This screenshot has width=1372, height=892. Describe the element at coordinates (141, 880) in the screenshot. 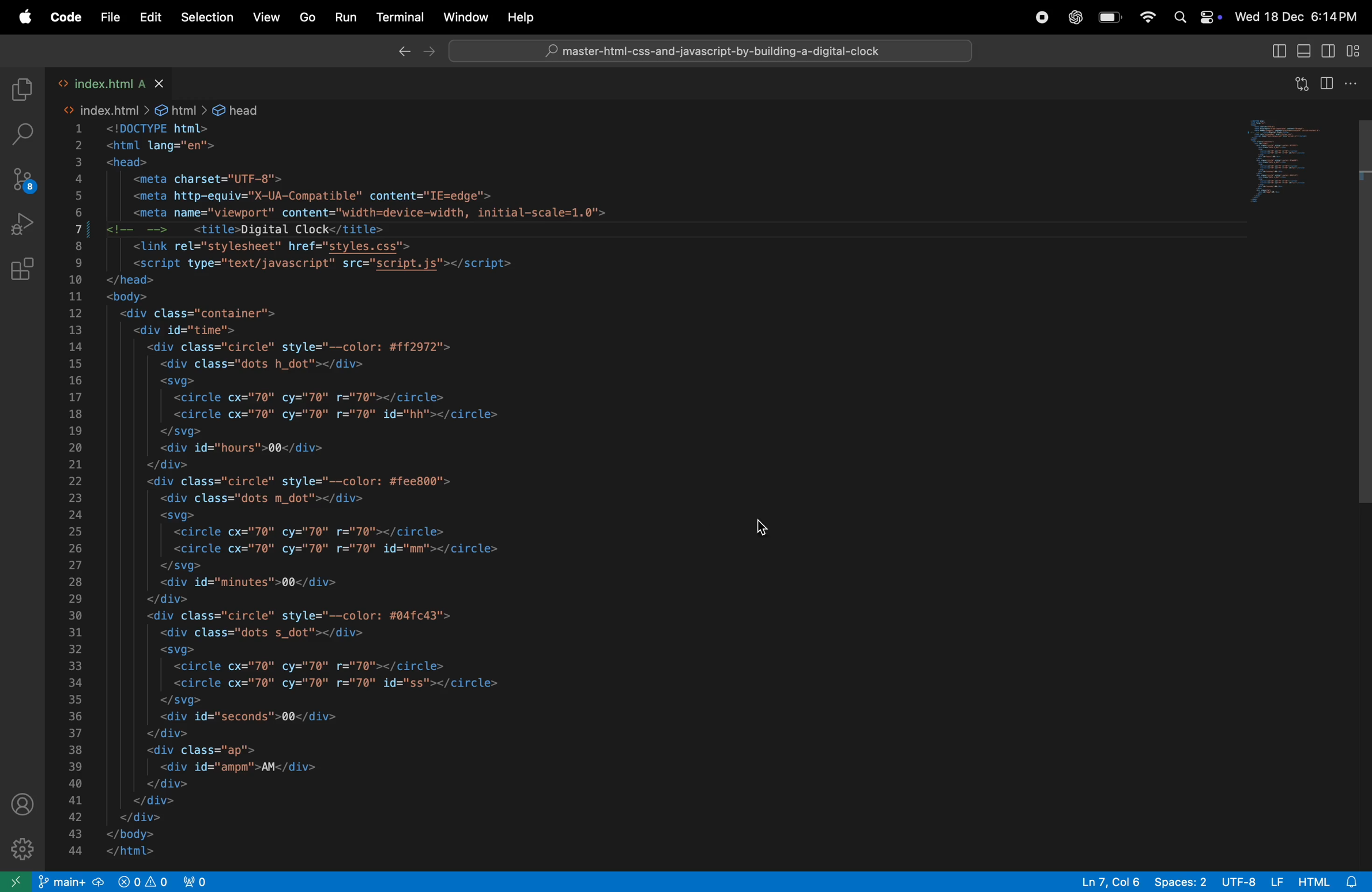

I see `no problems` at that location.